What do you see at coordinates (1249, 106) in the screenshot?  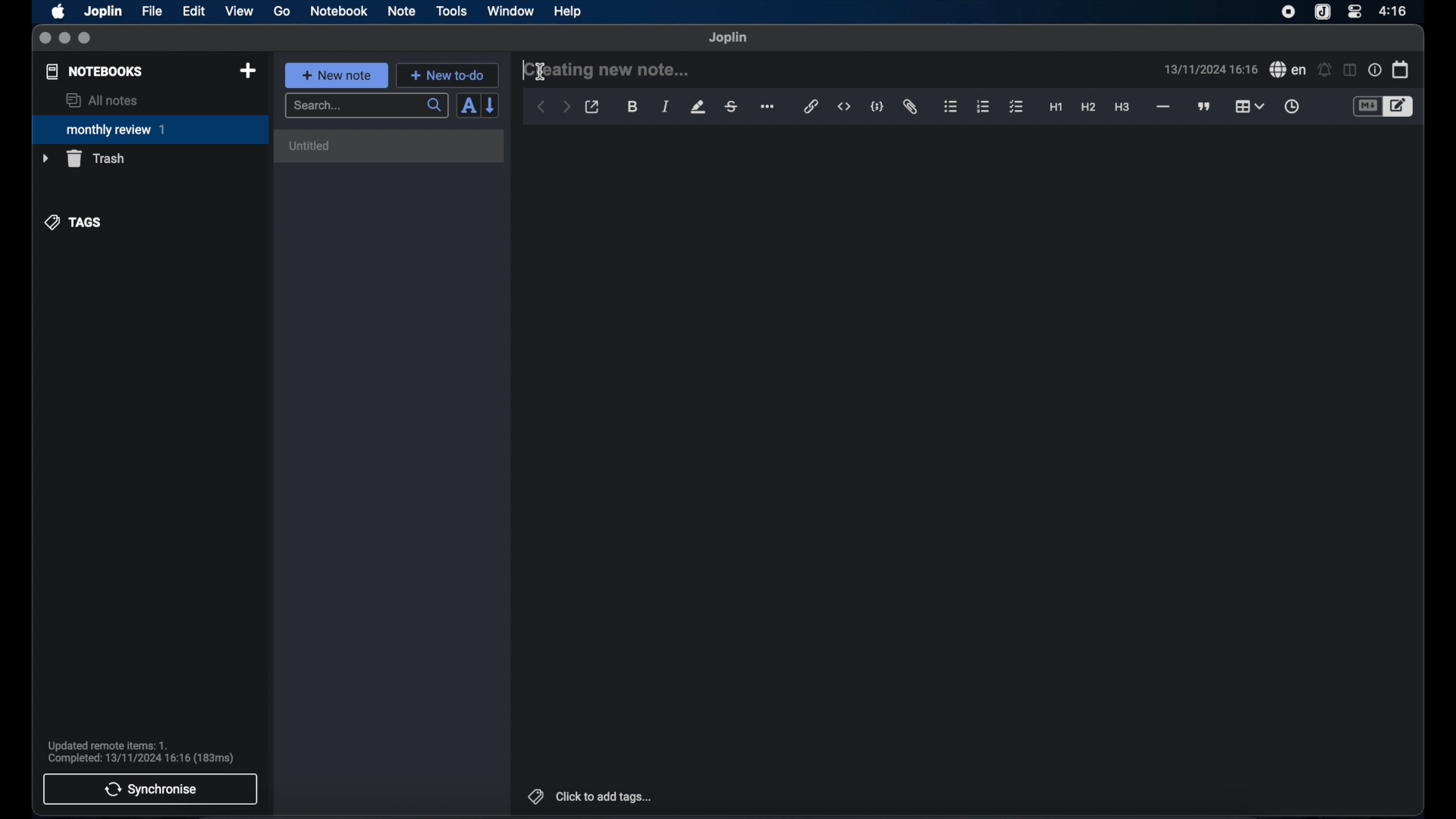 I see `table` at bounding box center [1249, 106].